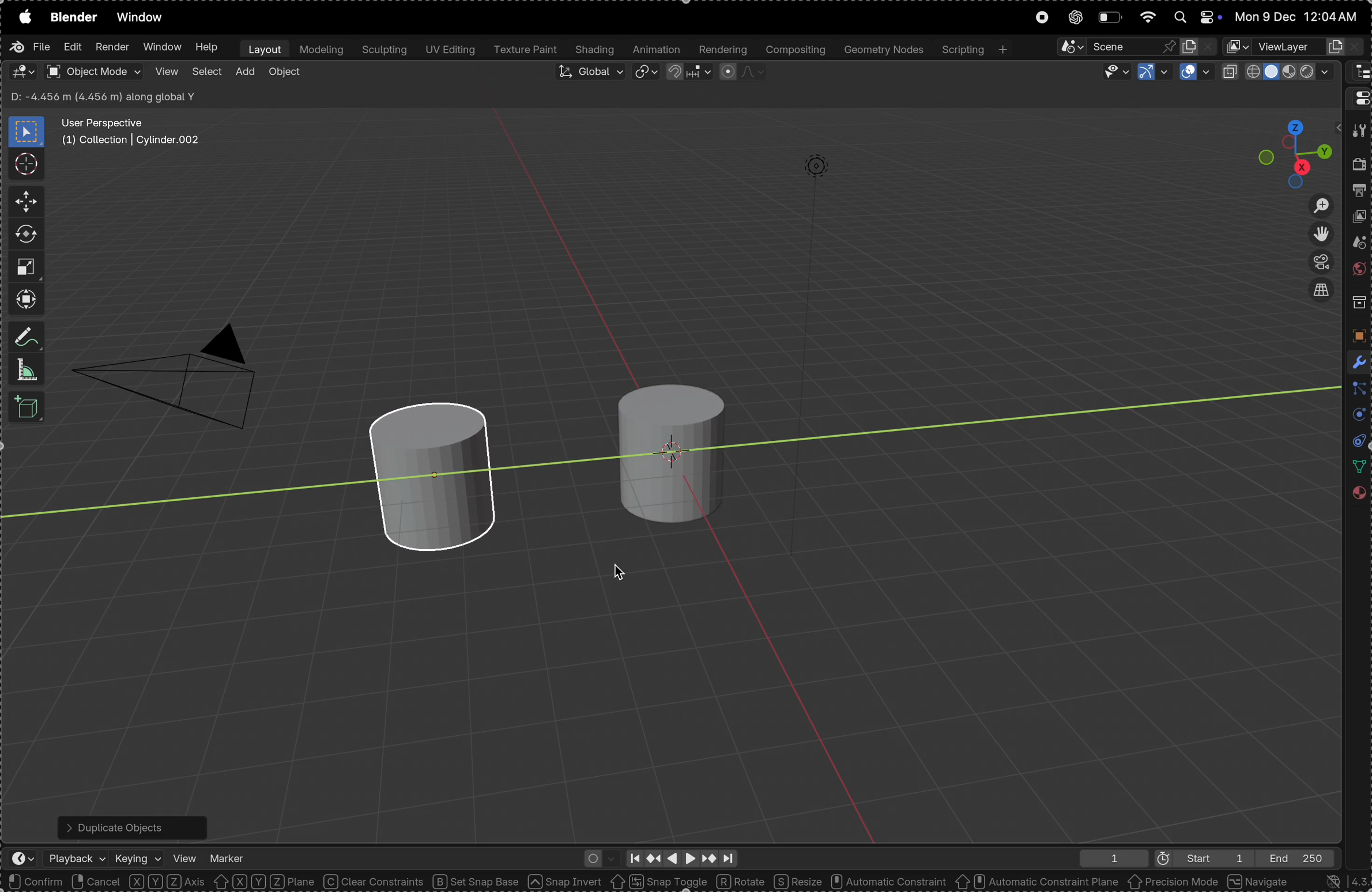 This screenshot has height=892, width=1372. What do you see at coordinates (375, 882) in the screenshot?
I see `clear constraints` at bounding box center [375, 882].